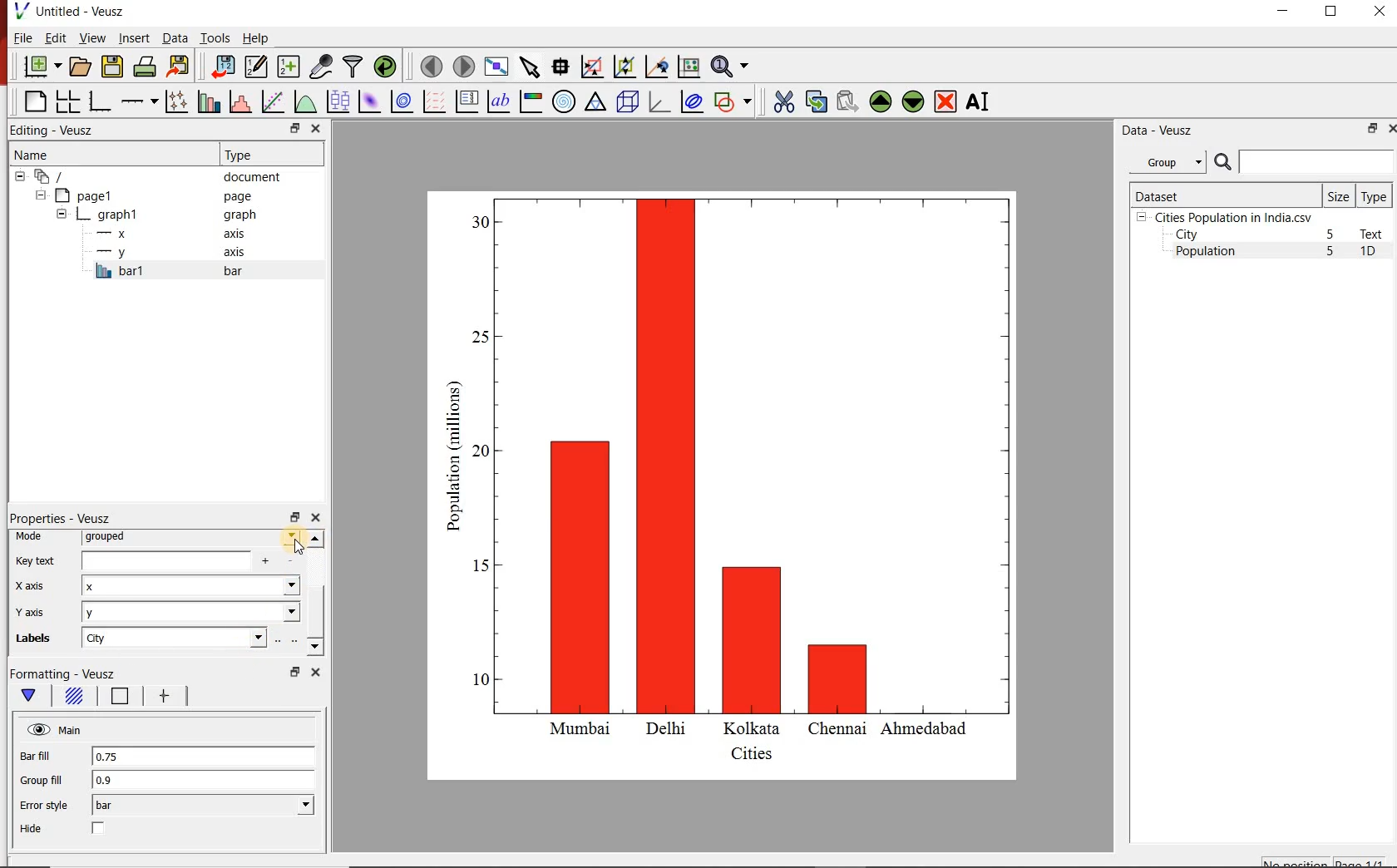 Image resolution: width=1397 pixels, height=868 pixels. What do you see at coordinates (60, 518) in the screenshot?
I see `Properties - Veusz` at bounding box center [60, 518].